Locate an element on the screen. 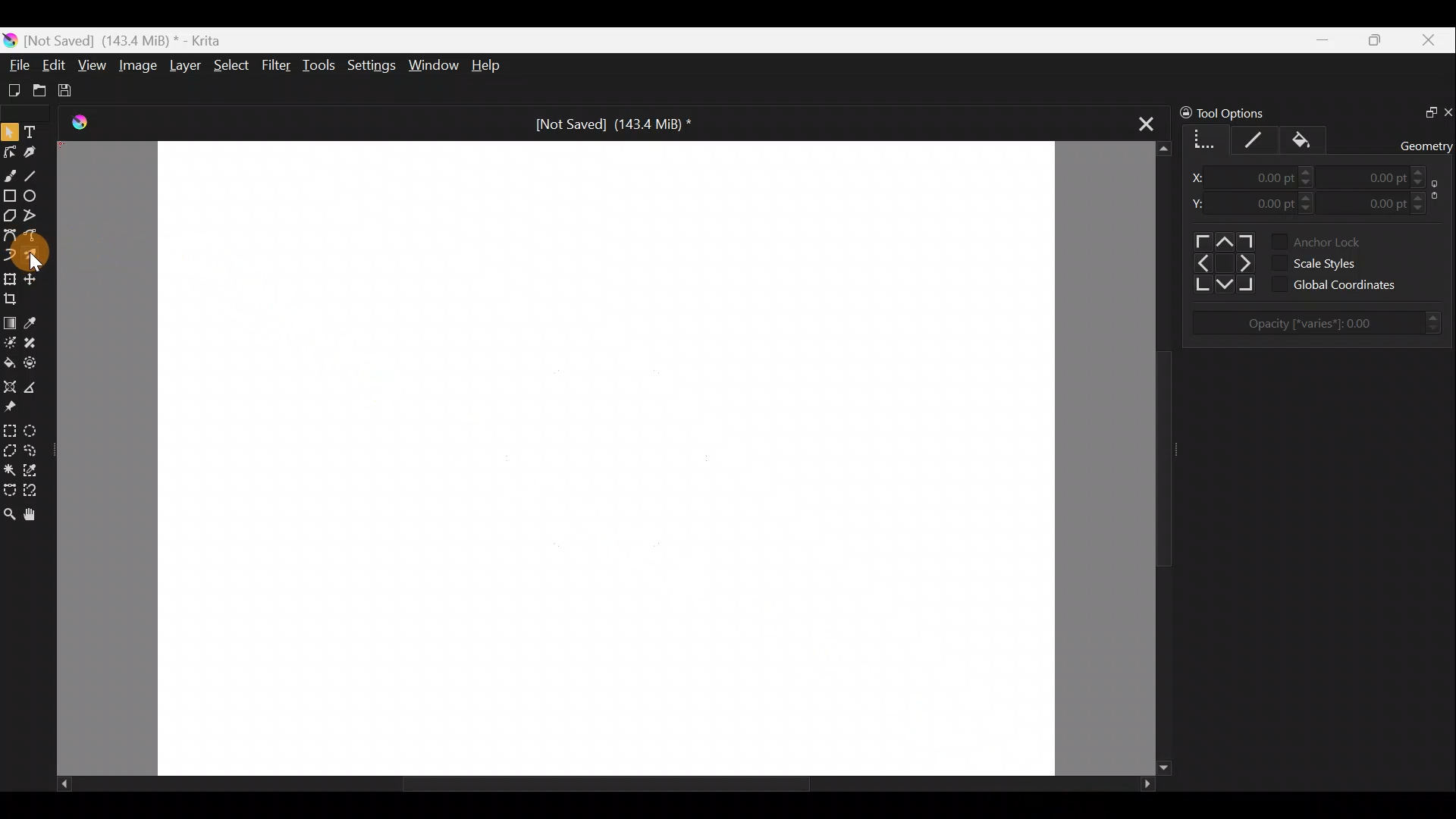  0.00pt is located at coordinates (1266, 178).